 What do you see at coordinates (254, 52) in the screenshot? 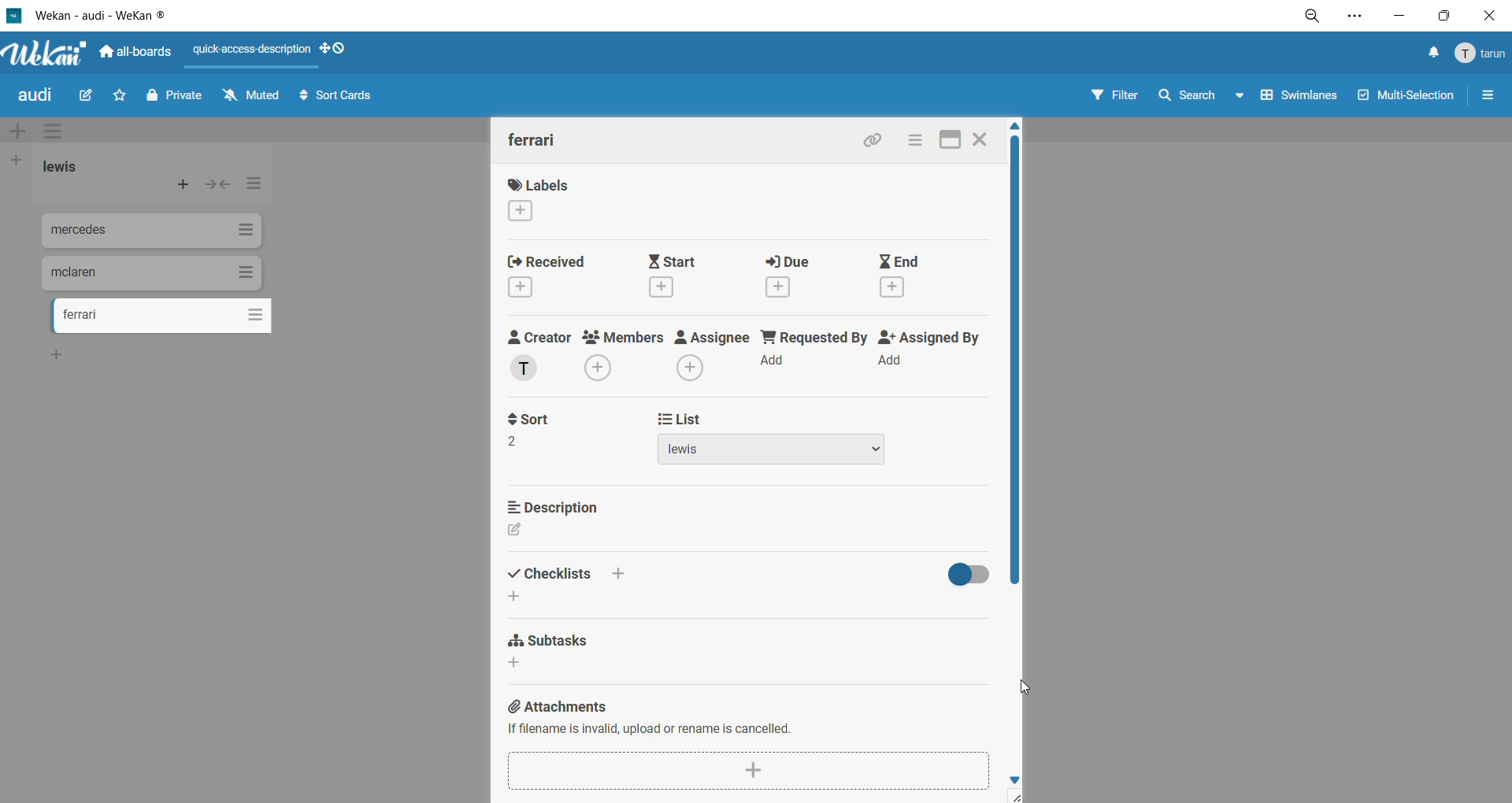
I see `quick access description` at bounding box center [254, 52].